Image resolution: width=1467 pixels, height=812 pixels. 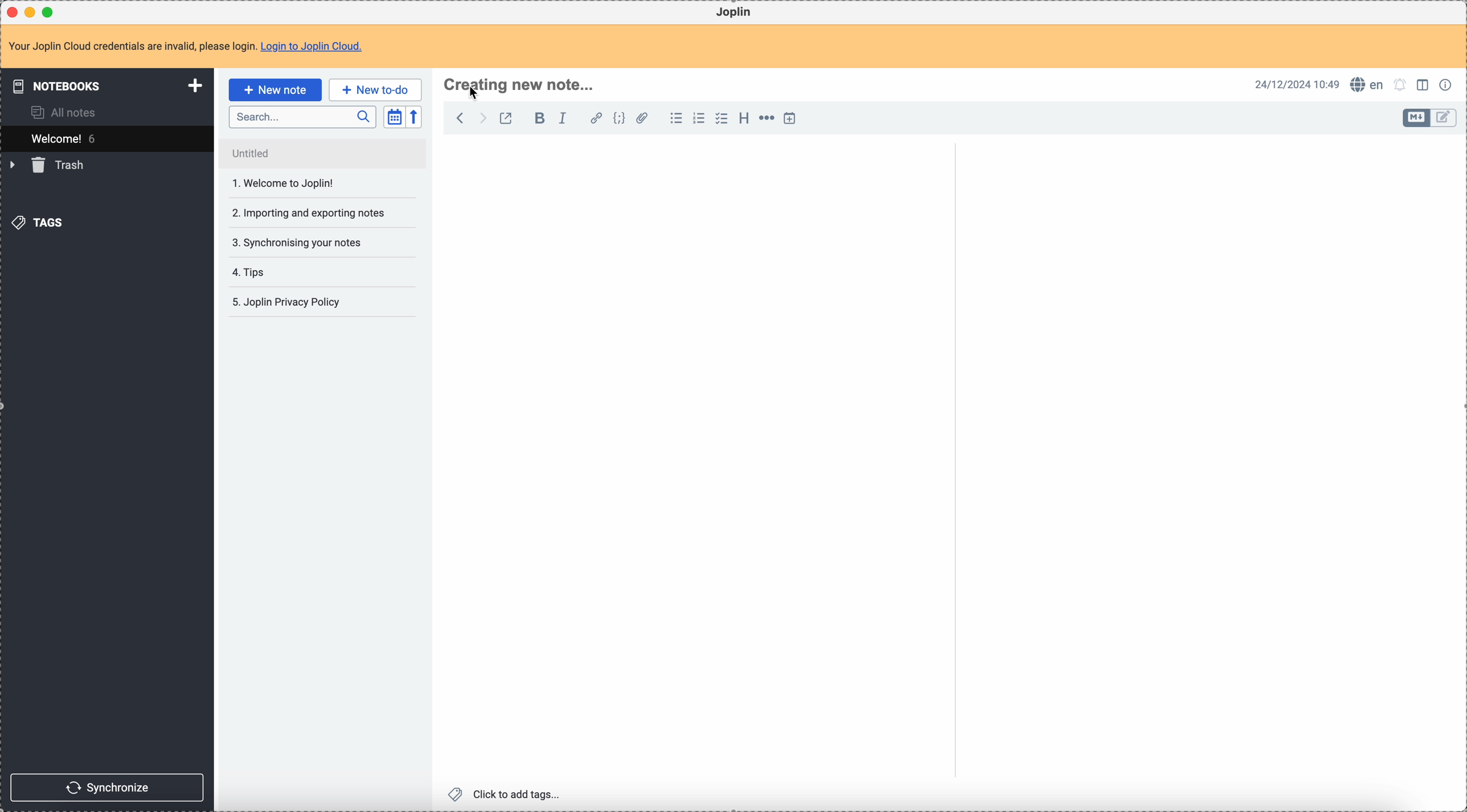 I want to click on maximize Joplin, so click(x=51, y=11).